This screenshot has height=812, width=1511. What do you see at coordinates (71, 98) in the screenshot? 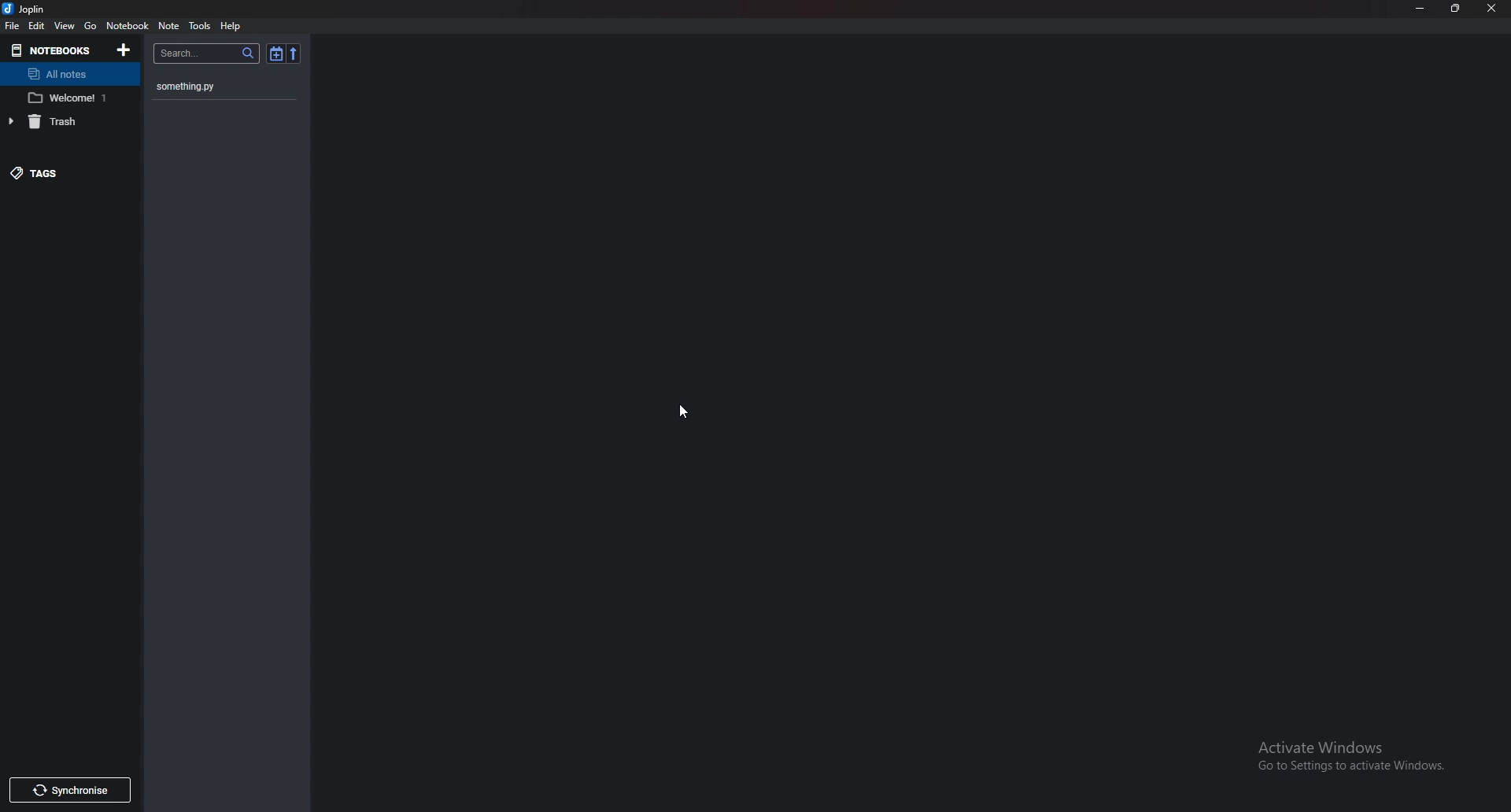
I see `welcome 1` at bounding box center [71, 98].